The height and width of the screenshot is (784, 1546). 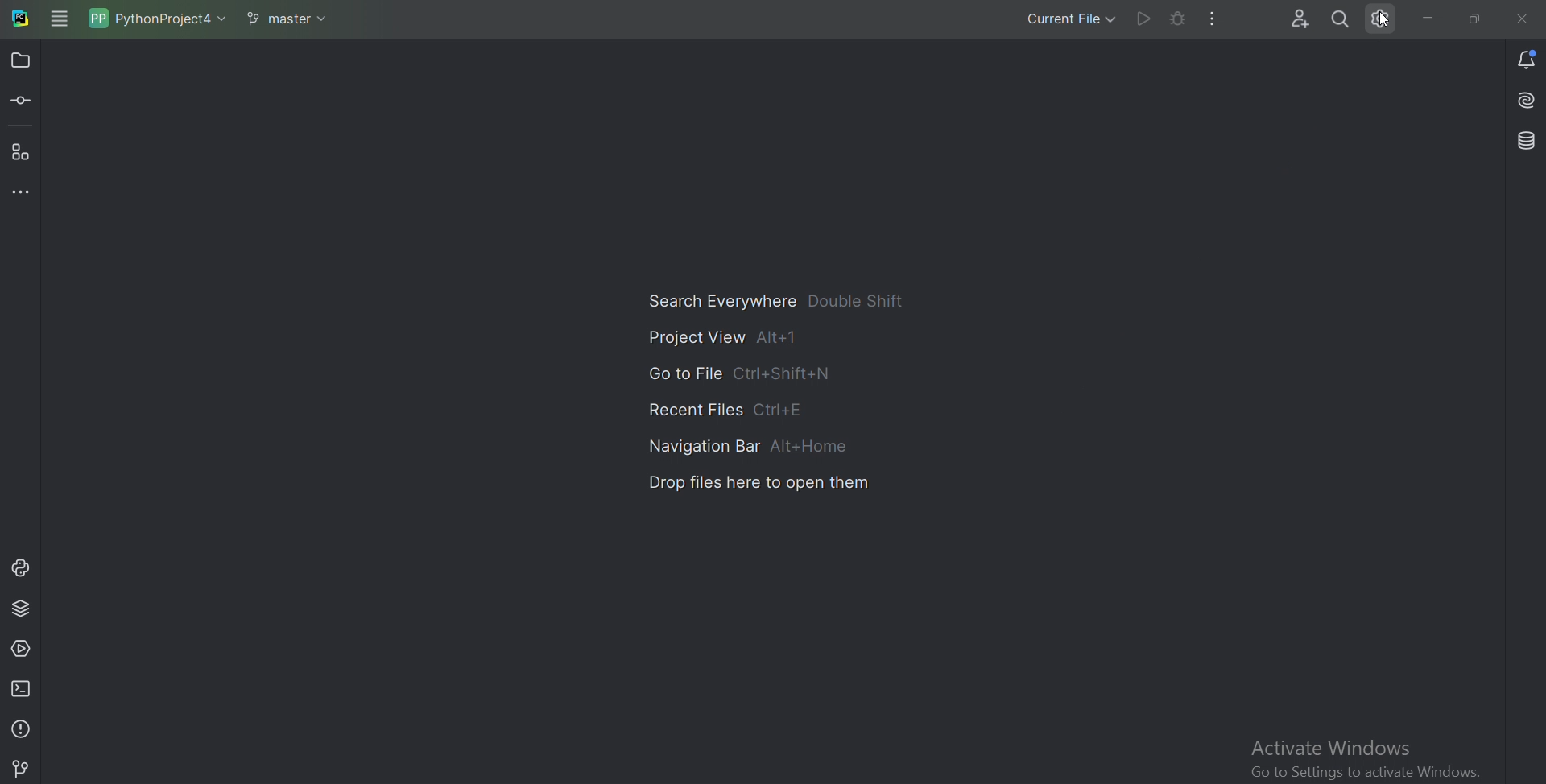 What do you see at coordinates (23, 607) in the screenshot?
I see `Python package` at bounding box center [23, 607].